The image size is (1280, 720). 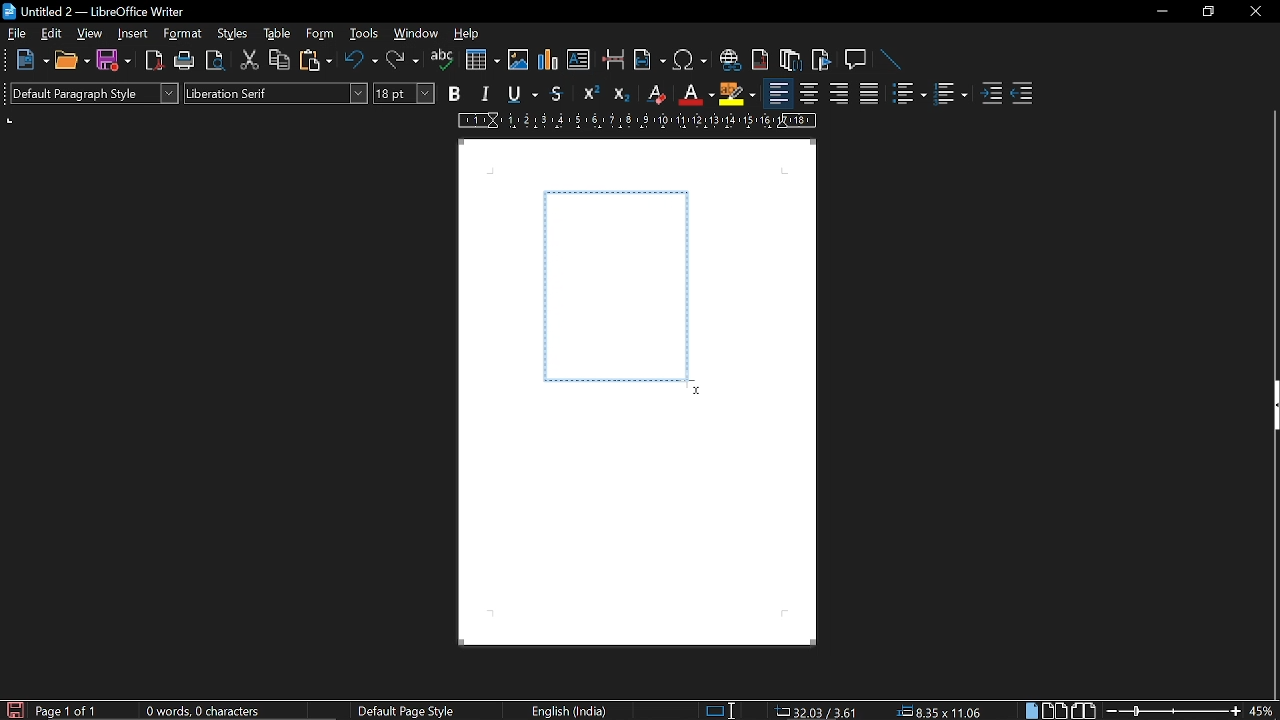 I want to click on save, so click(x=14, y=709).